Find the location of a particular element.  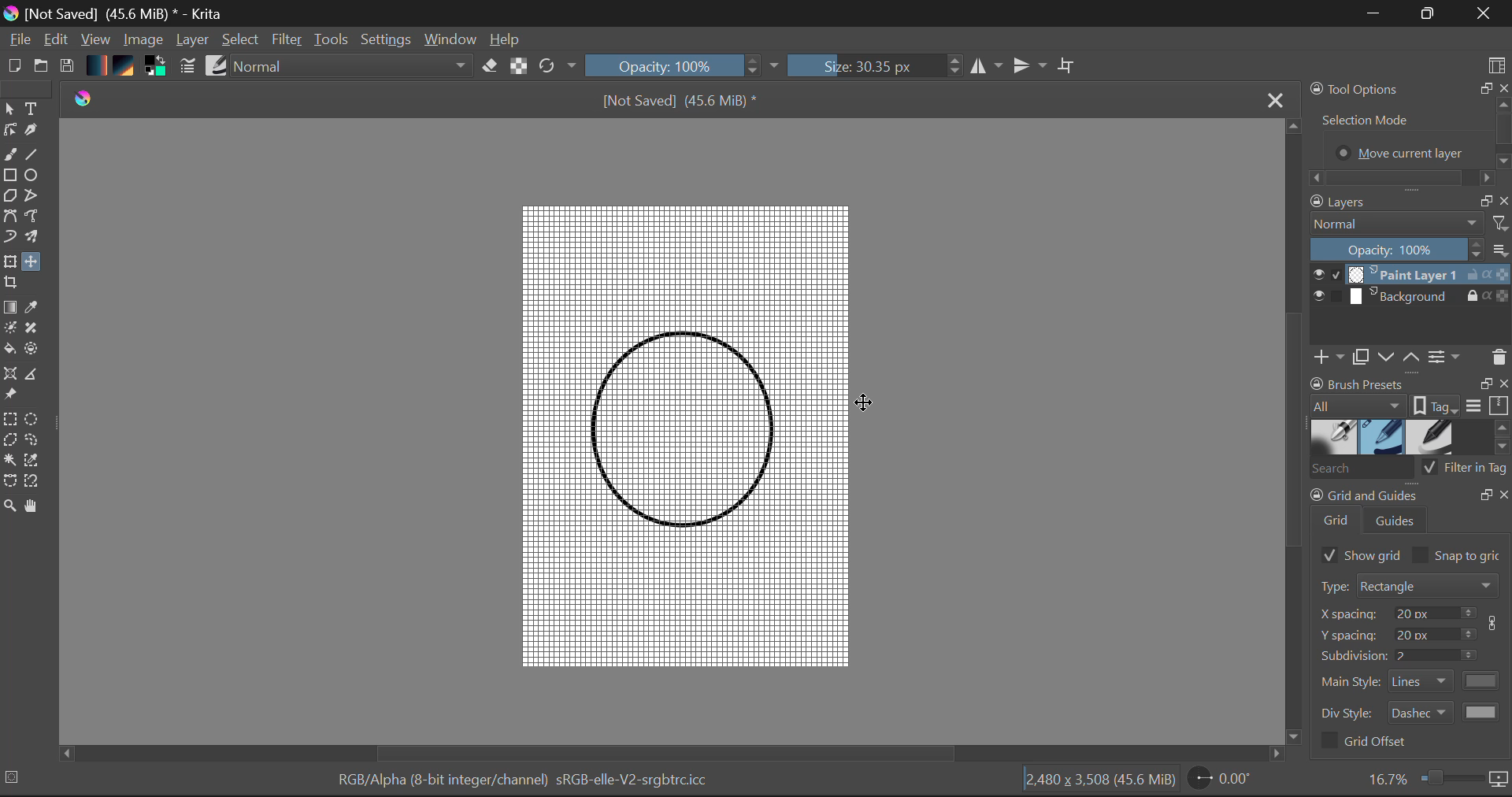

Minimize is located at coordinates (1429, 13).